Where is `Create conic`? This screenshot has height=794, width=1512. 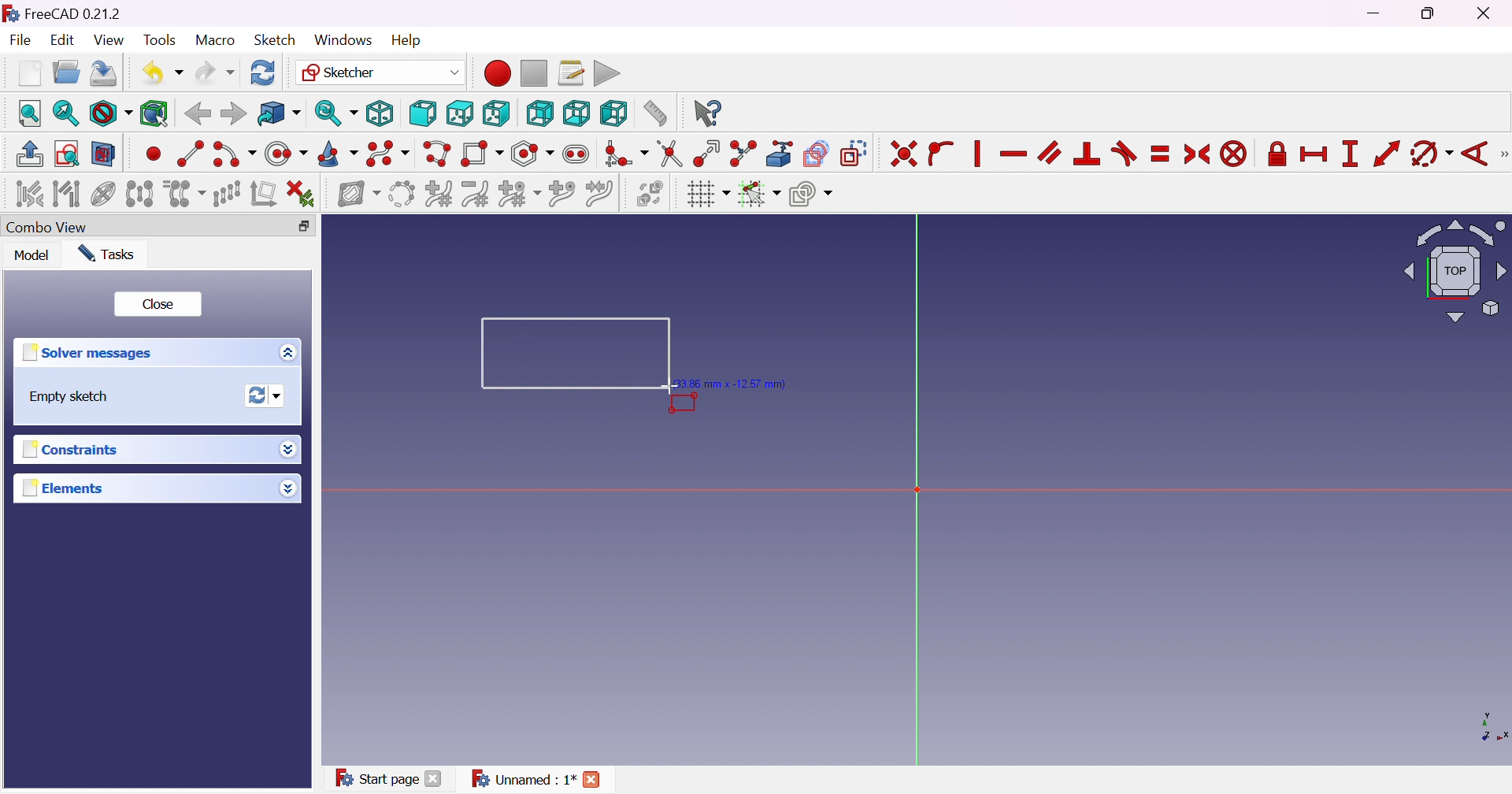 Create conic is located at coordinates (338, 154).